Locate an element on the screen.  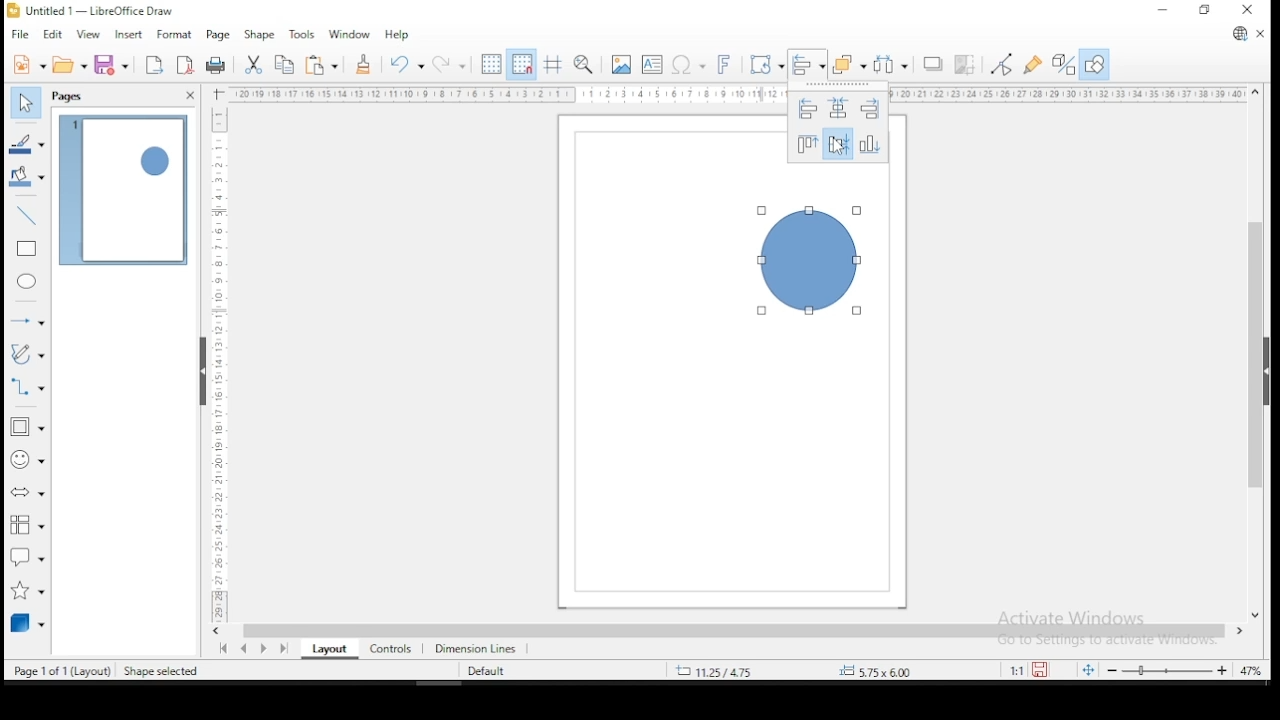
pages is located at coordinates (70, 97).